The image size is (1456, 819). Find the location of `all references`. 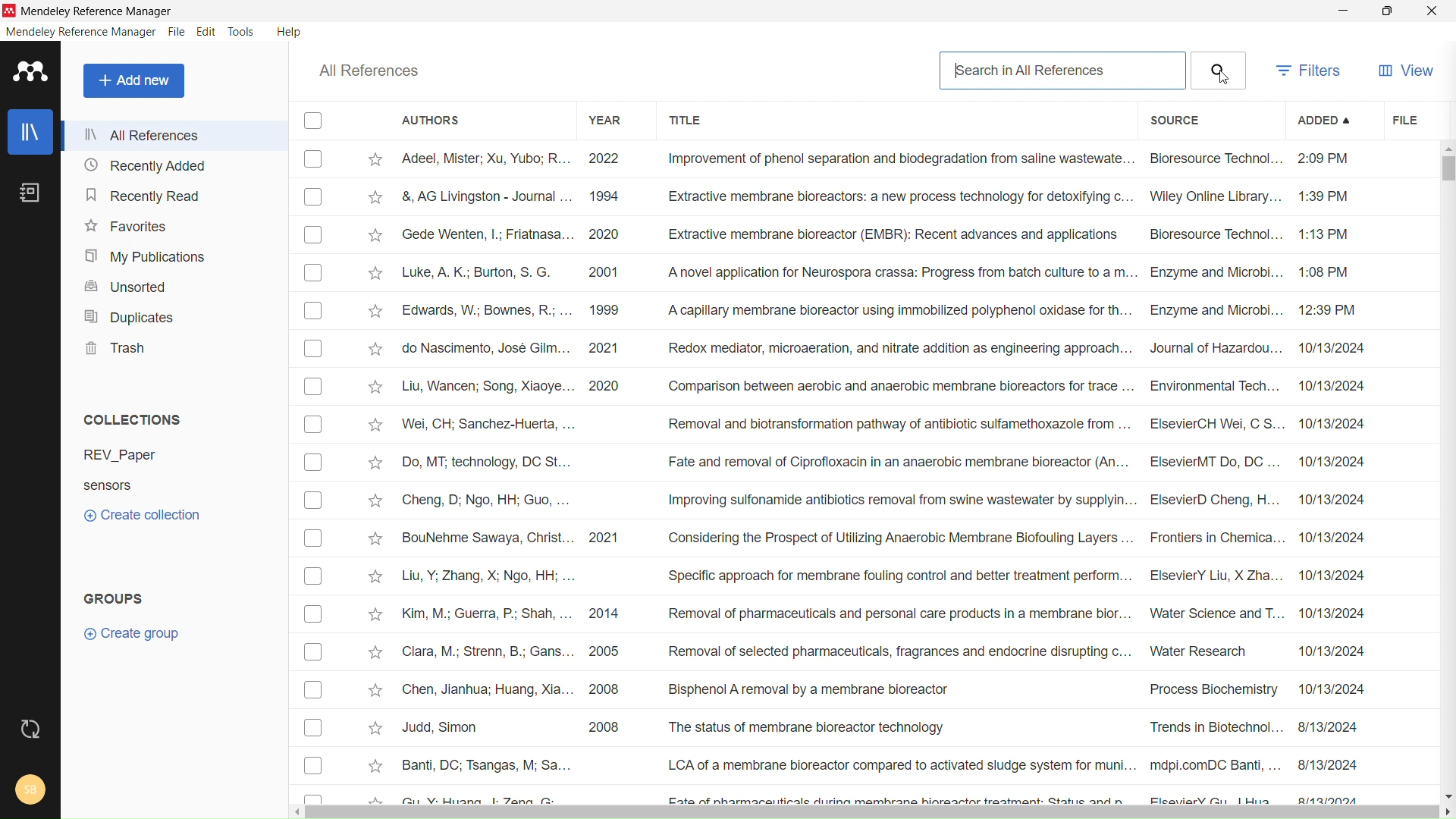

all references is located at coordinates (174, 136).